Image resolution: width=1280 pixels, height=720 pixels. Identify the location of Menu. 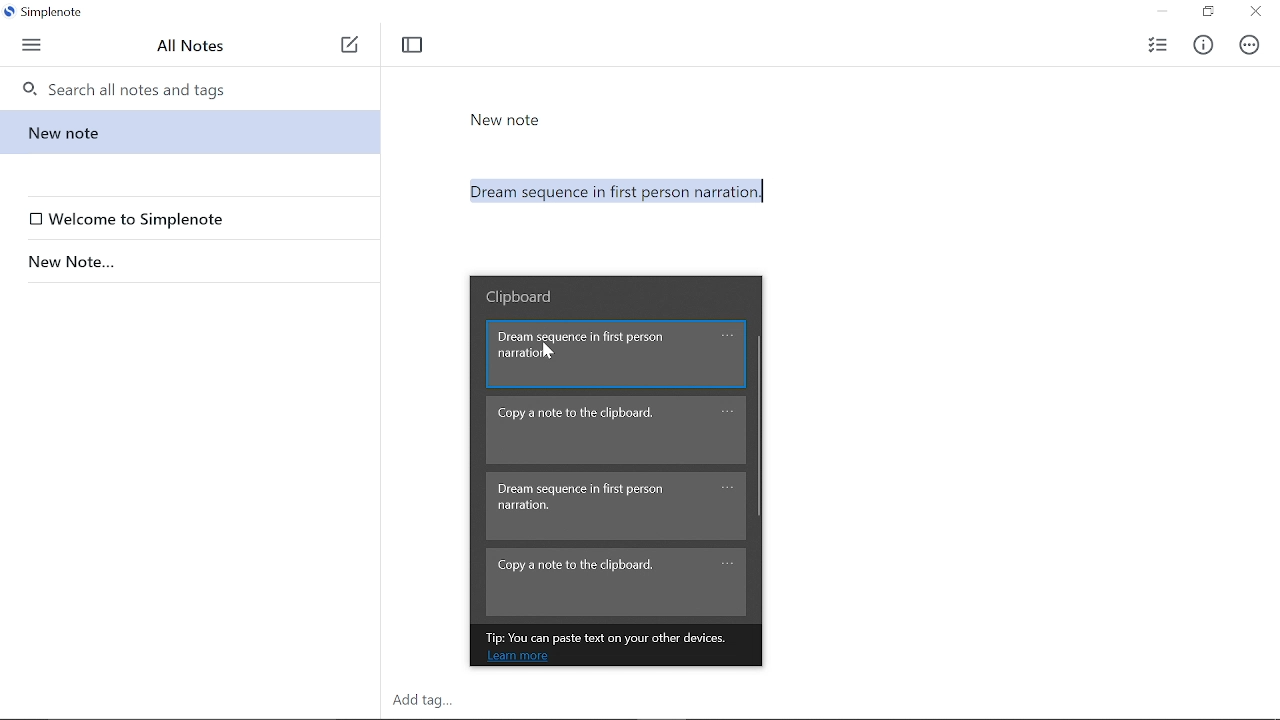
(33, 43).